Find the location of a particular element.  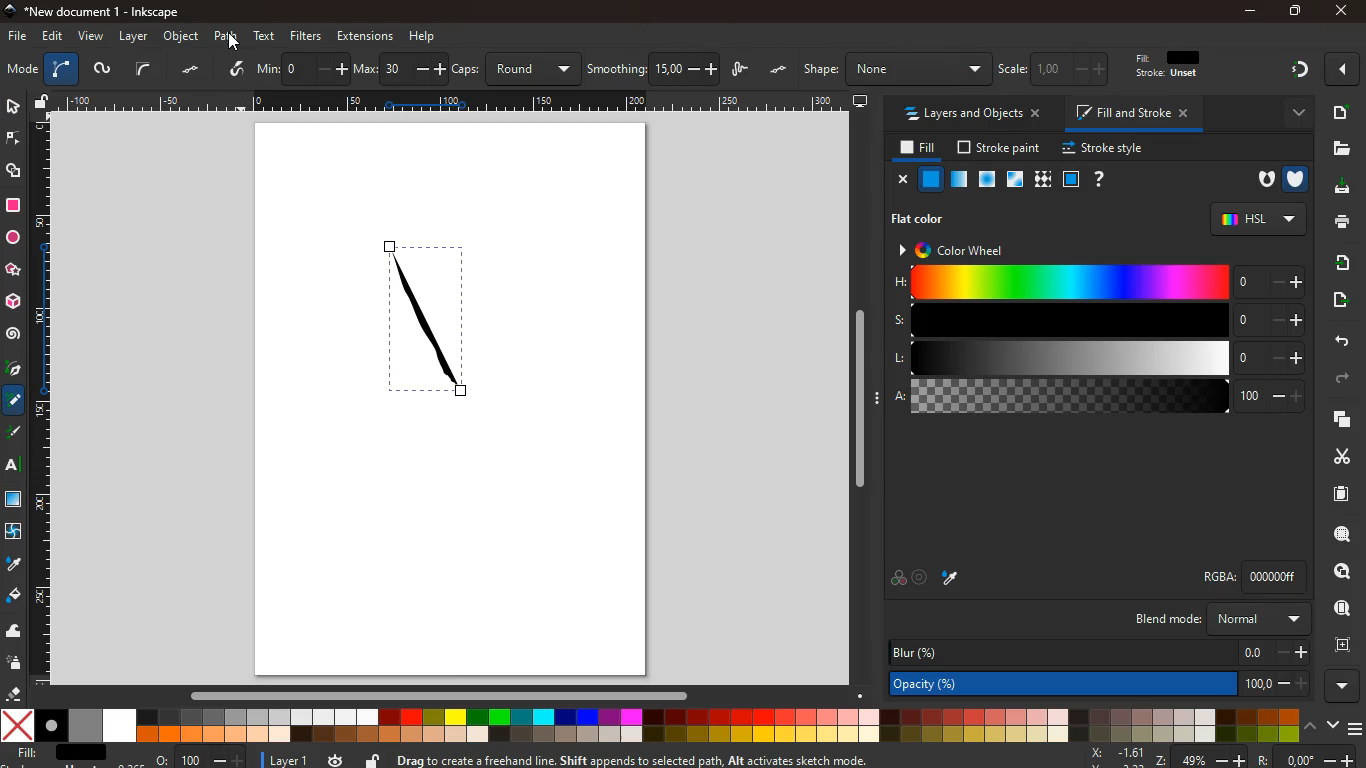

up is located at coordinates (1312, 724).